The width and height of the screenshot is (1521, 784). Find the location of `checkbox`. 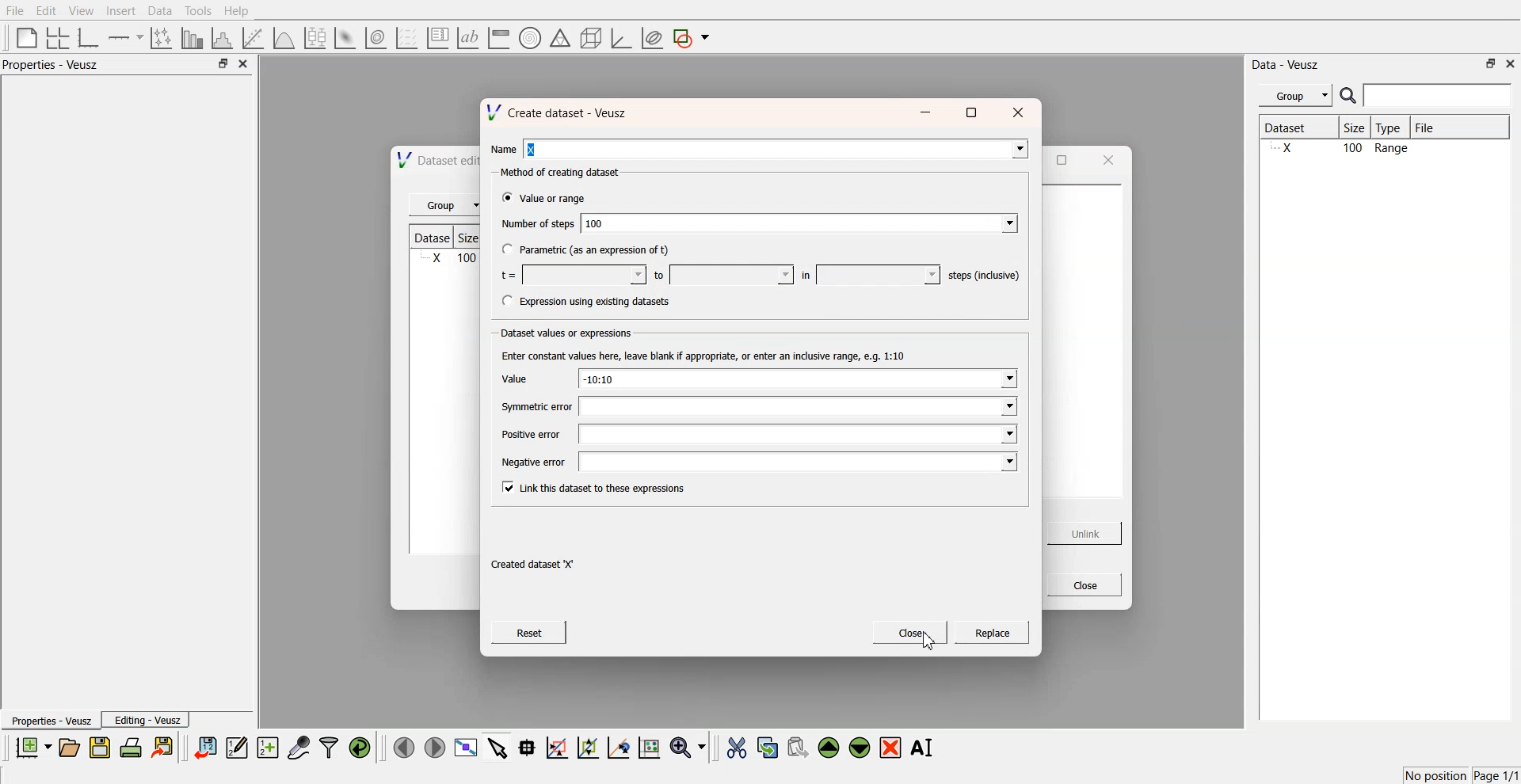

checkbox is located at coordinates (506, 487).